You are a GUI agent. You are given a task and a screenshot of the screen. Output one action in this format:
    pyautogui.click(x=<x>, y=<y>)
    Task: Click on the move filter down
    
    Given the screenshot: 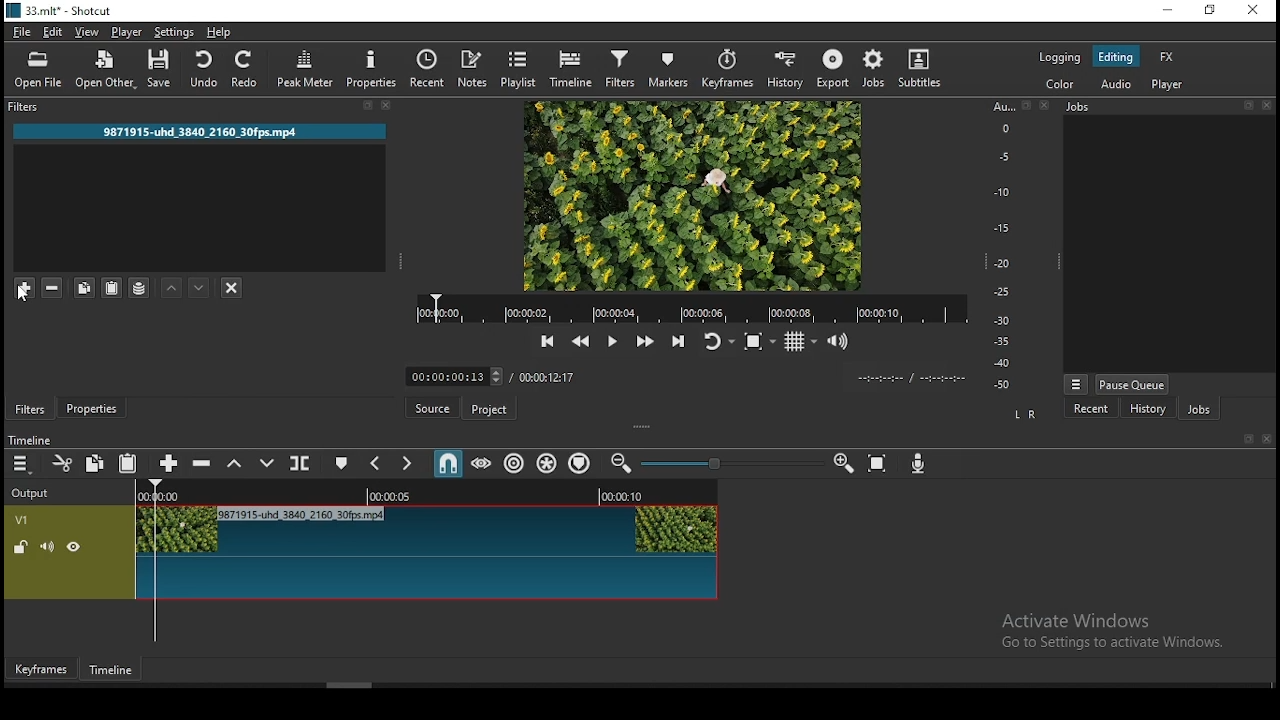 What is the action you would take?
    pyautogui.click(x=199, y=288)
    